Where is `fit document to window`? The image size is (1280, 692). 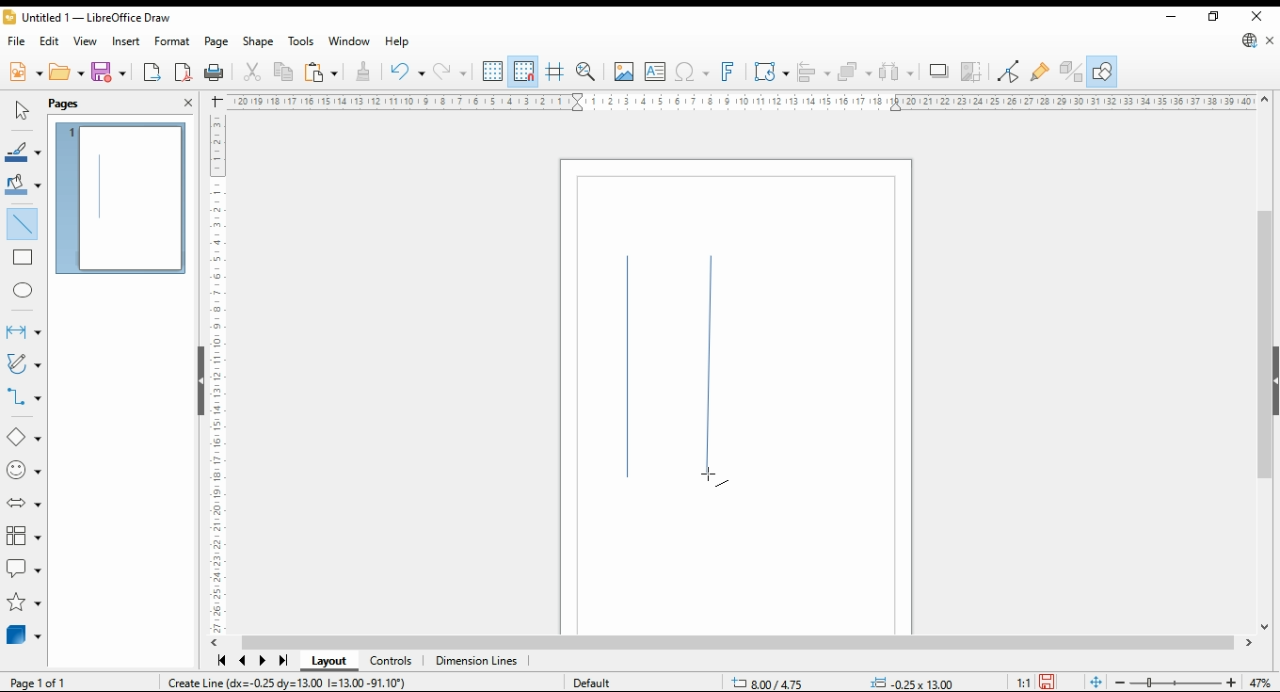
fit document to window is located at coordinates (1094, 682).